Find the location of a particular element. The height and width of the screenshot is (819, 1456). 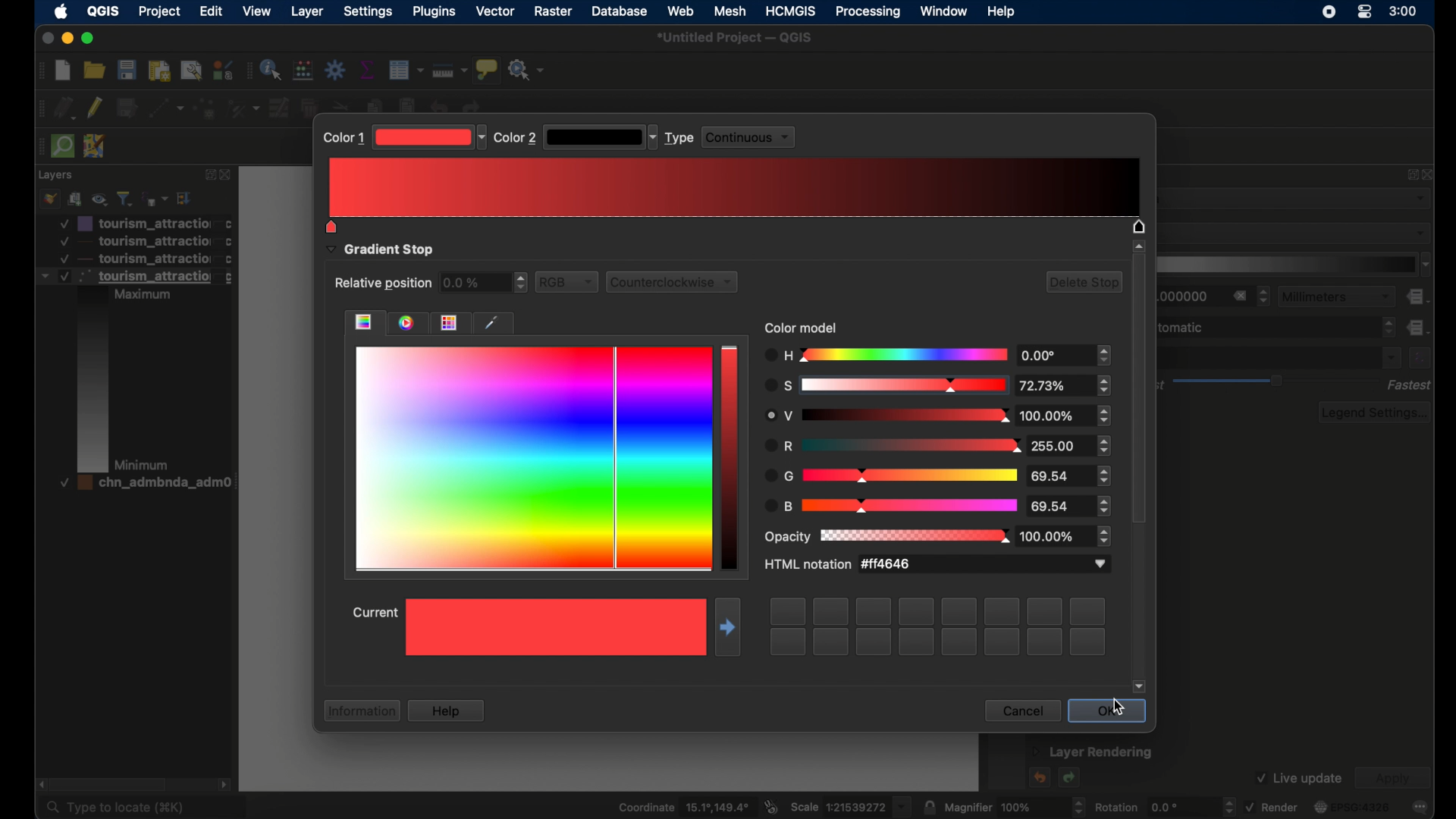

milimeters is located at coordinates (1335, 296).